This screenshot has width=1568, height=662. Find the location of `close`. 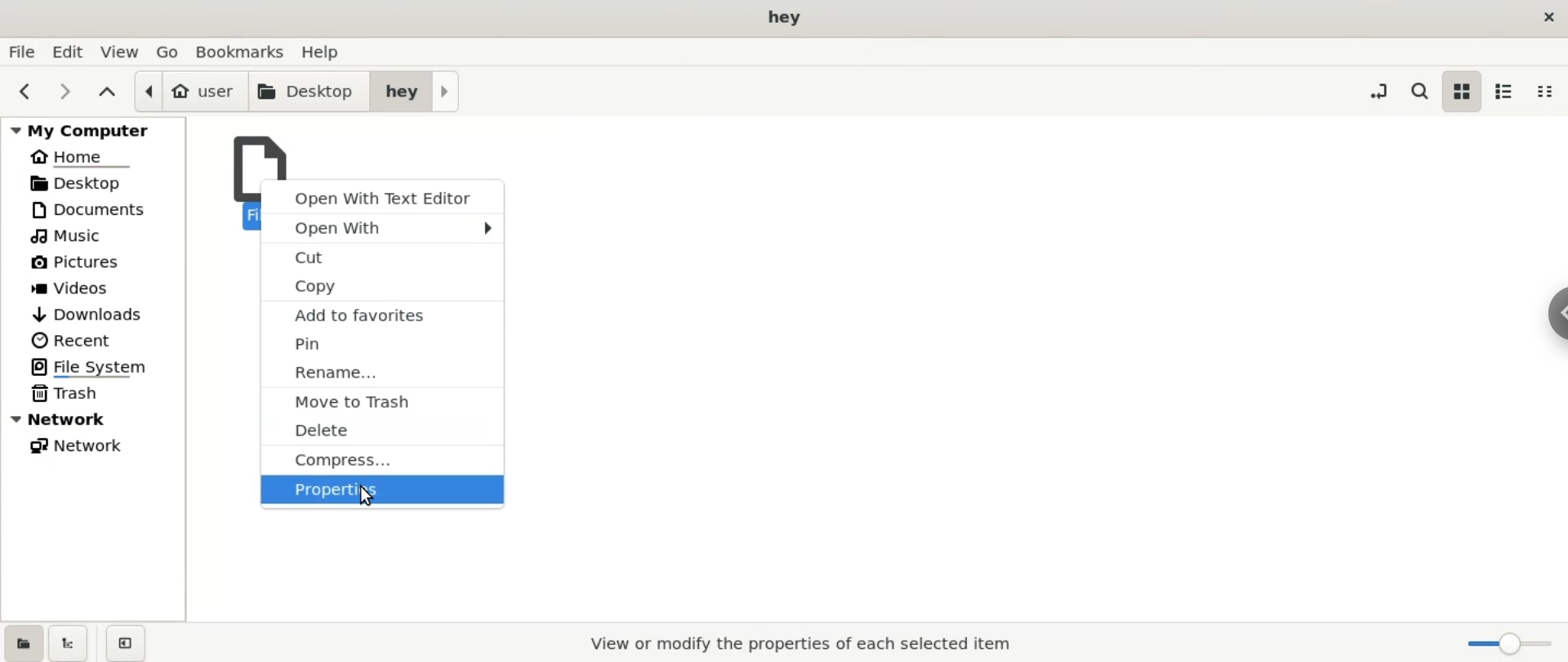

close is located at coordinates (1540, 19).